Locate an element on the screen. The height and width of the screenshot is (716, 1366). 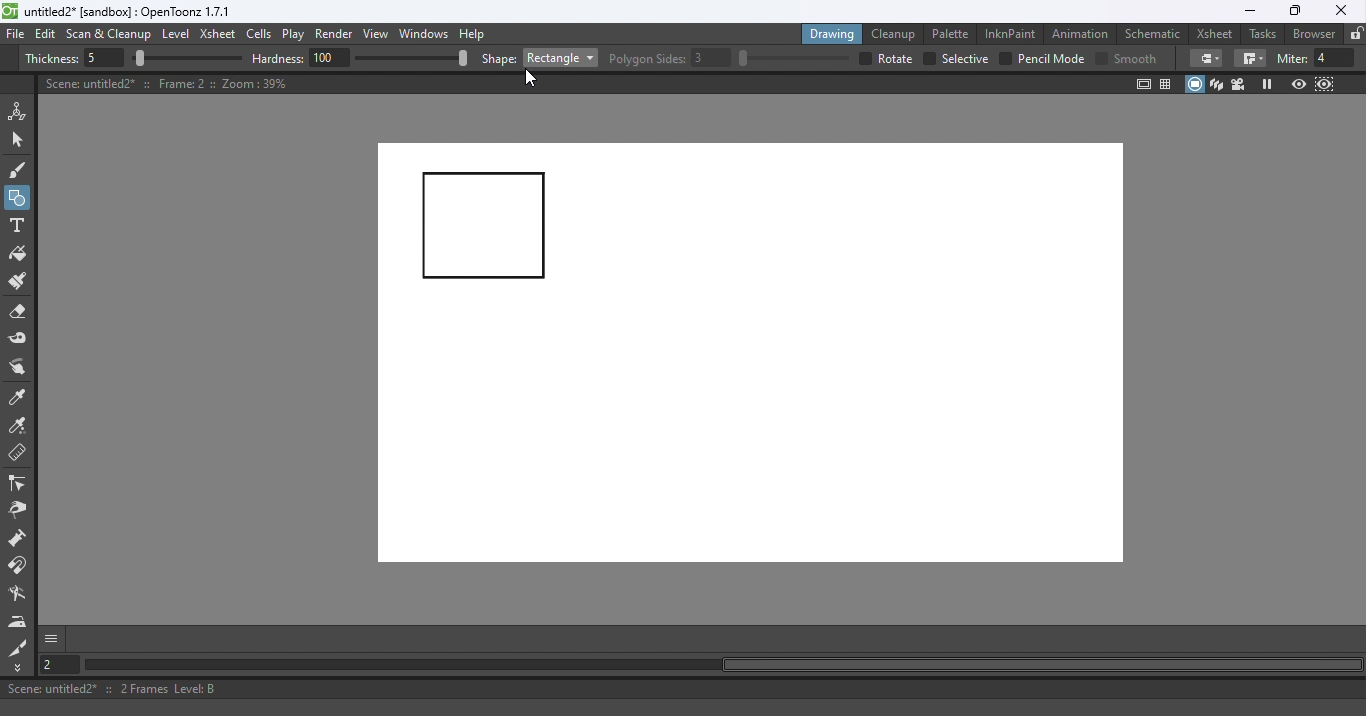
Maximize is located at coordinates (1292, 12).